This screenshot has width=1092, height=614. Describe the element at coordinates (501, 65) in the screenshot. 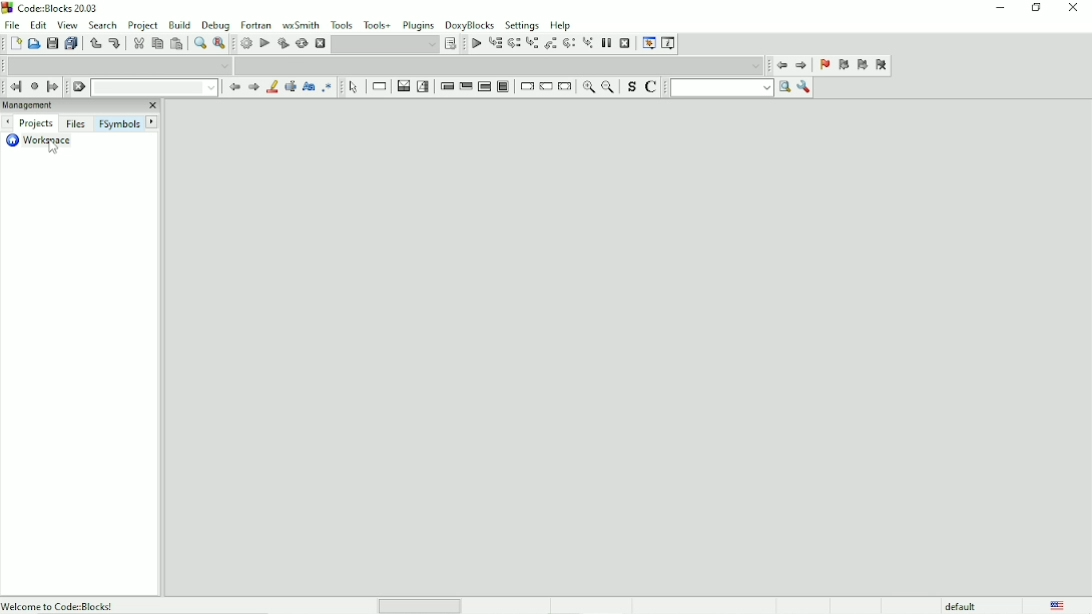

I see `Drop down` at that location.